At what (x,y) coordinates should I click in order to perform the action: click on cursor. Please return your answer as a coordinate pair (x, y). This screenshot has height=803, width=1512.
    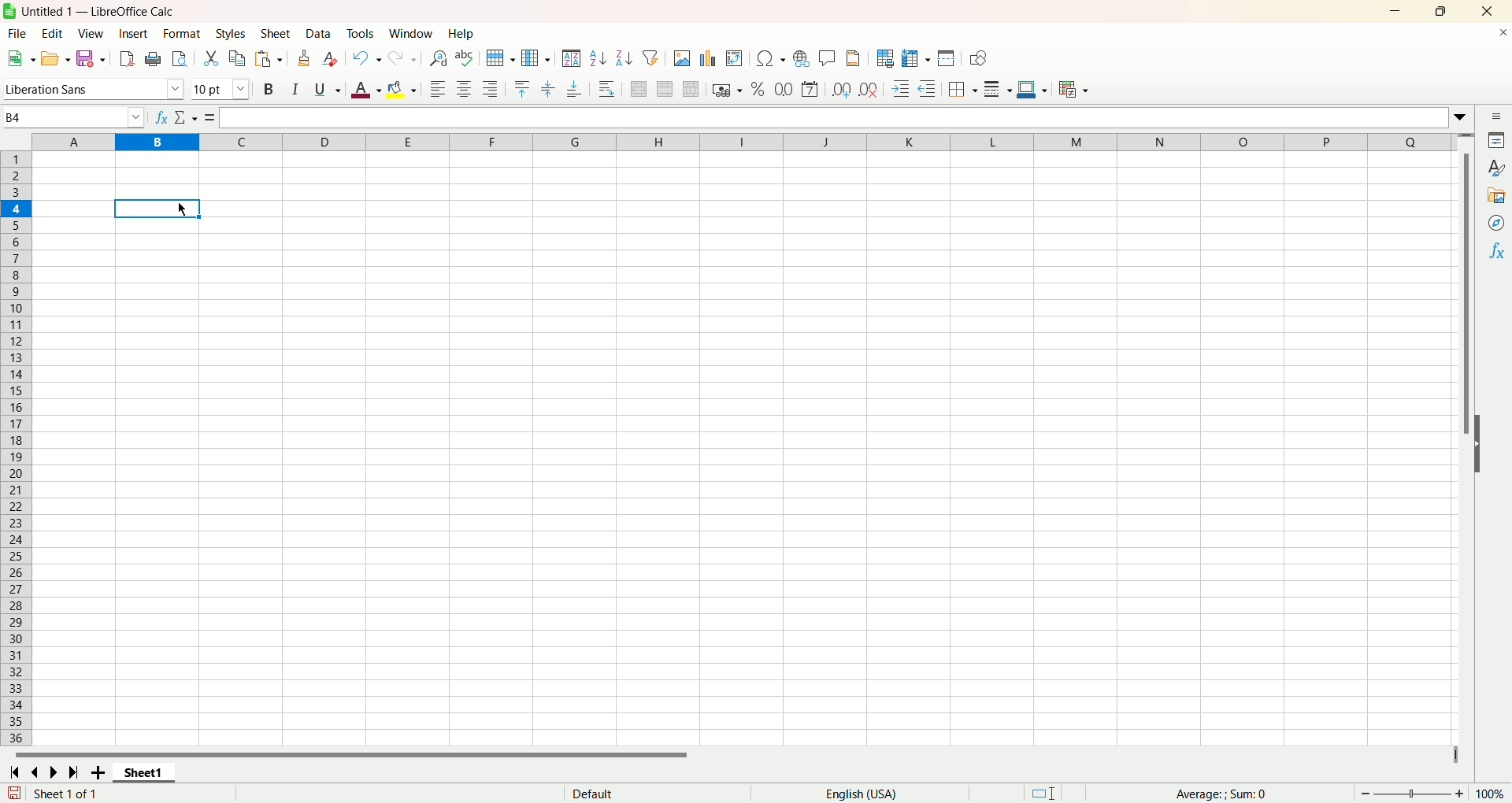
    Looking at the image, I should click on (183, 209).